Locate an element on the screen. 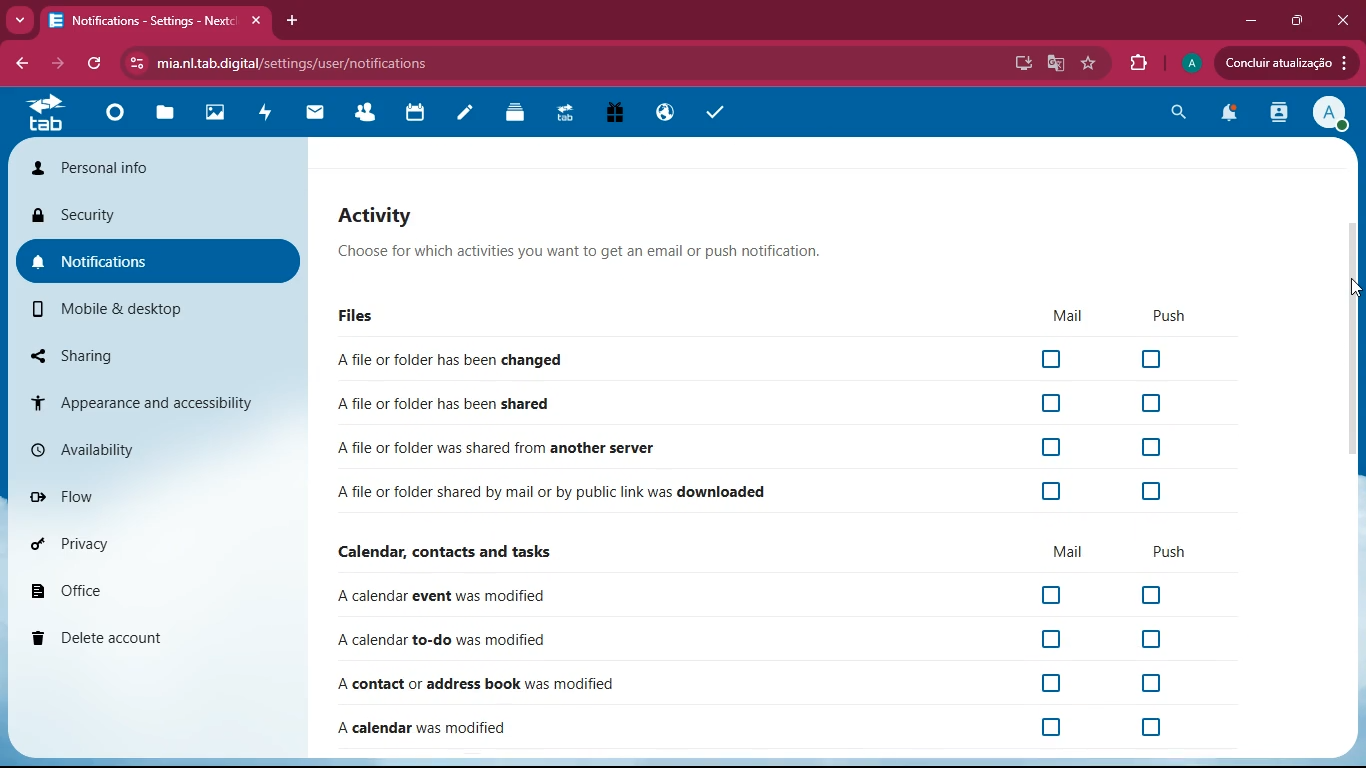 Image resolution: width=1366 pixels, height=768 pixels. security is located at coordinates (160, 217).